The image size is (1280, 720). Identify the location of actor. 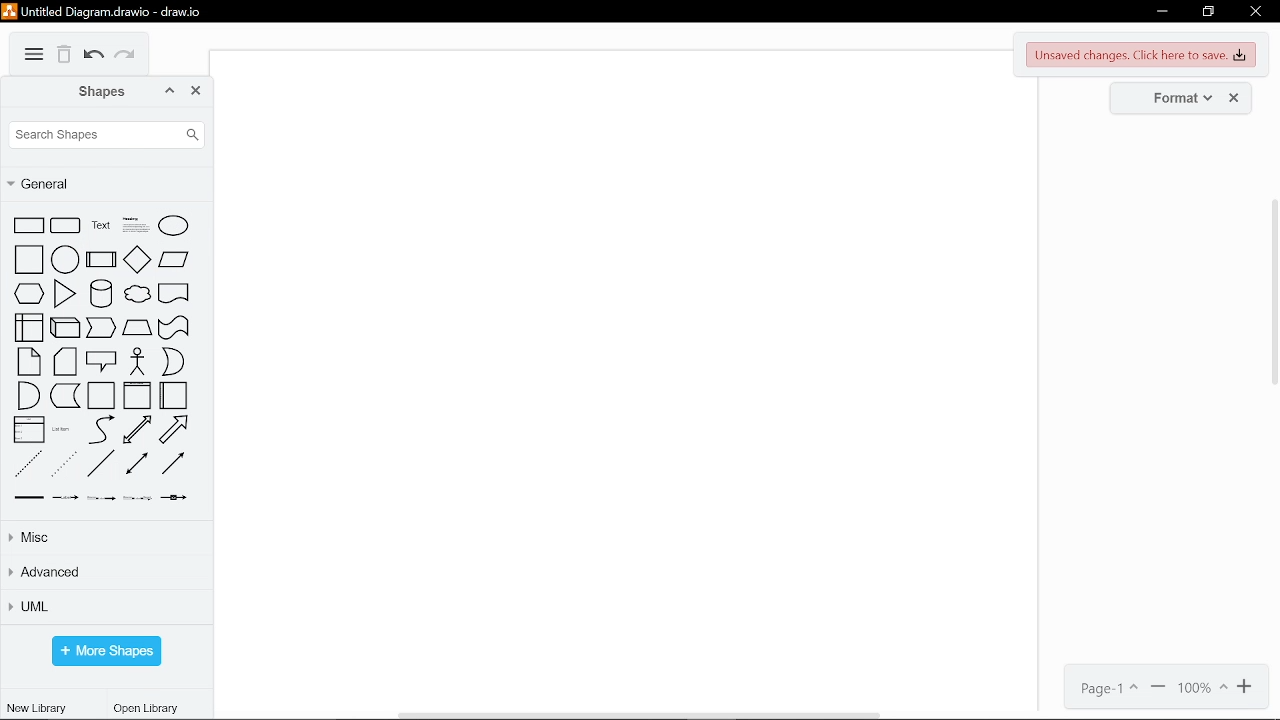
(138, 362).